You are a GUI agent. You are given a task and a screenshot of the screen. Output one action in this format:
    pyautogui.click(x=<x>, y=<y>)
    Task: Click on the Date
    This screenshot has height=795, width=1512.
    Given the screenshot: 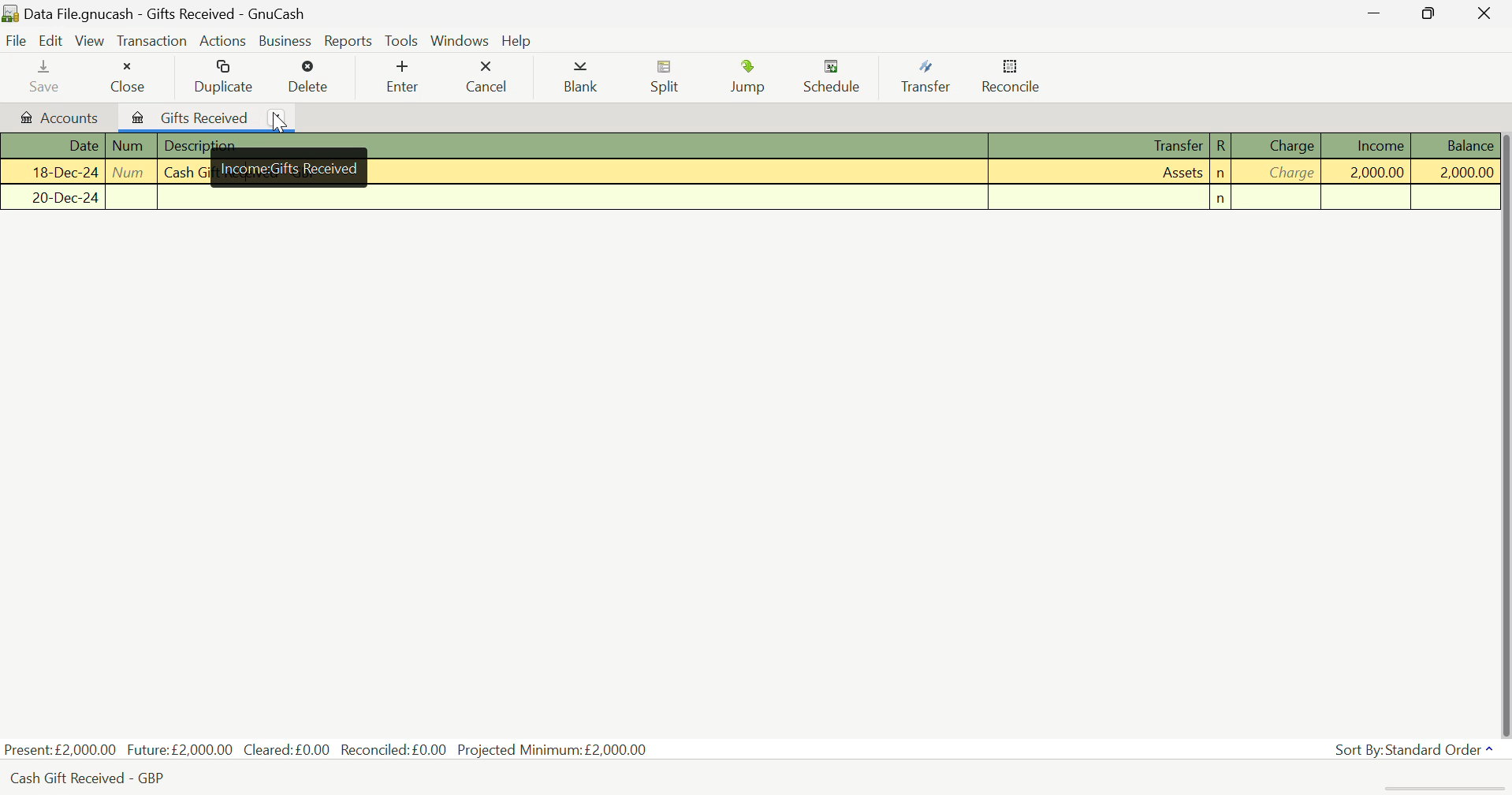 What is the action you would take?
    pyautogui.click(x=52, y=174)
    